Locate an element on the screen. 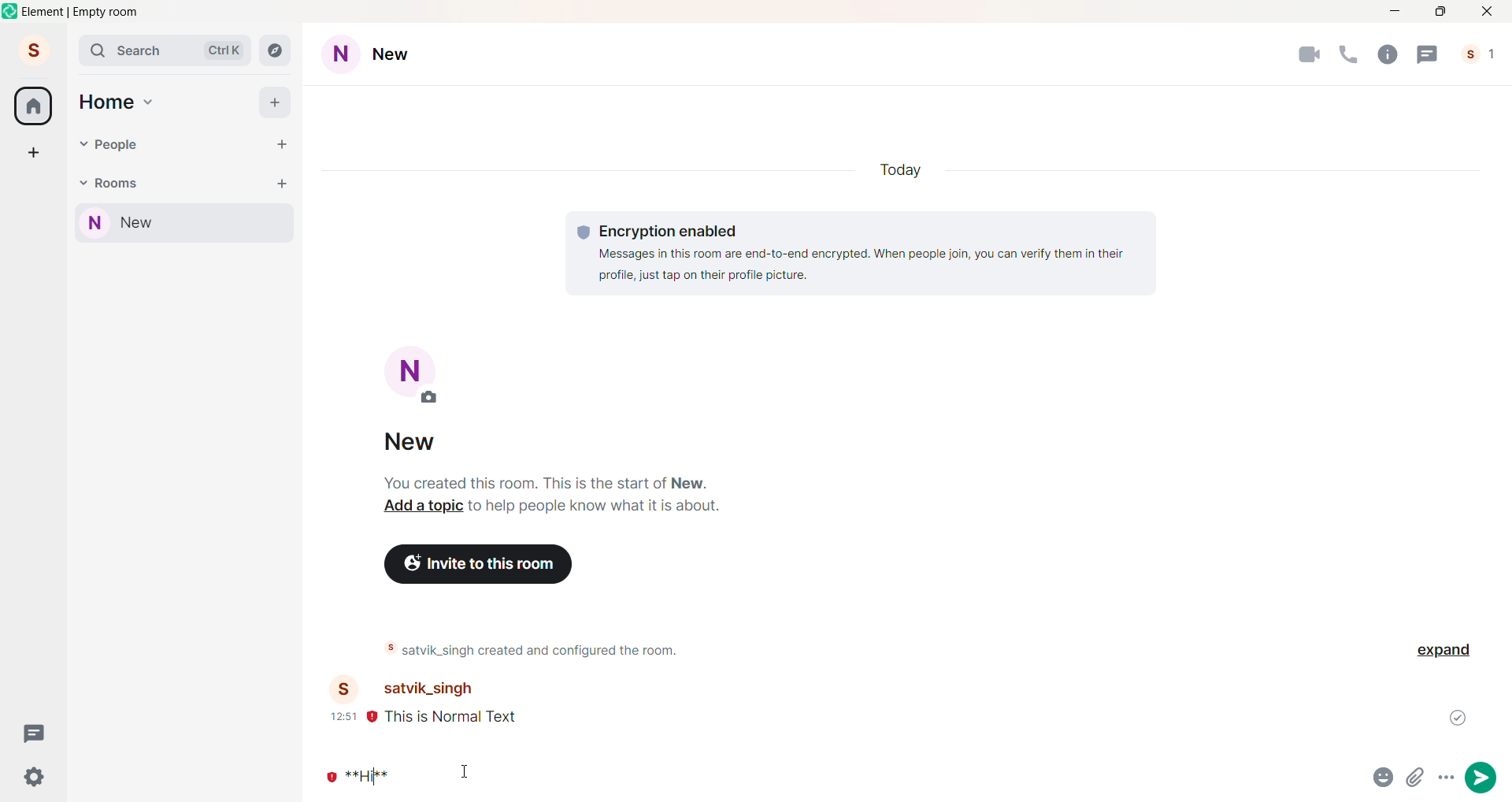 The image size is (1512, 802). Current Room is located at coordinates (187, 224).